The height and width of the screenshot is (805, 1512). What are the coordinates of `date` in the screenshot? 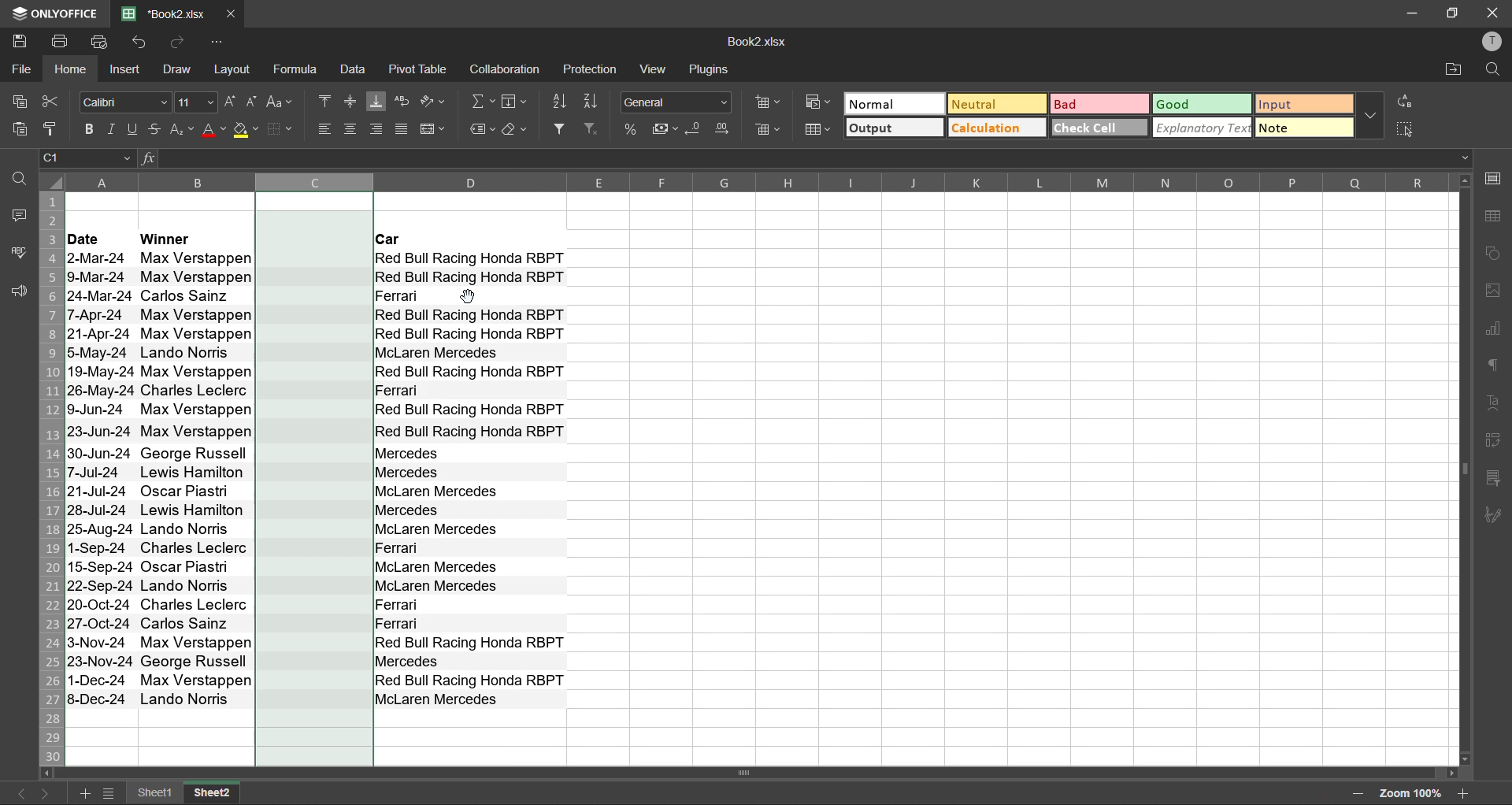 It's located at (98, 238).